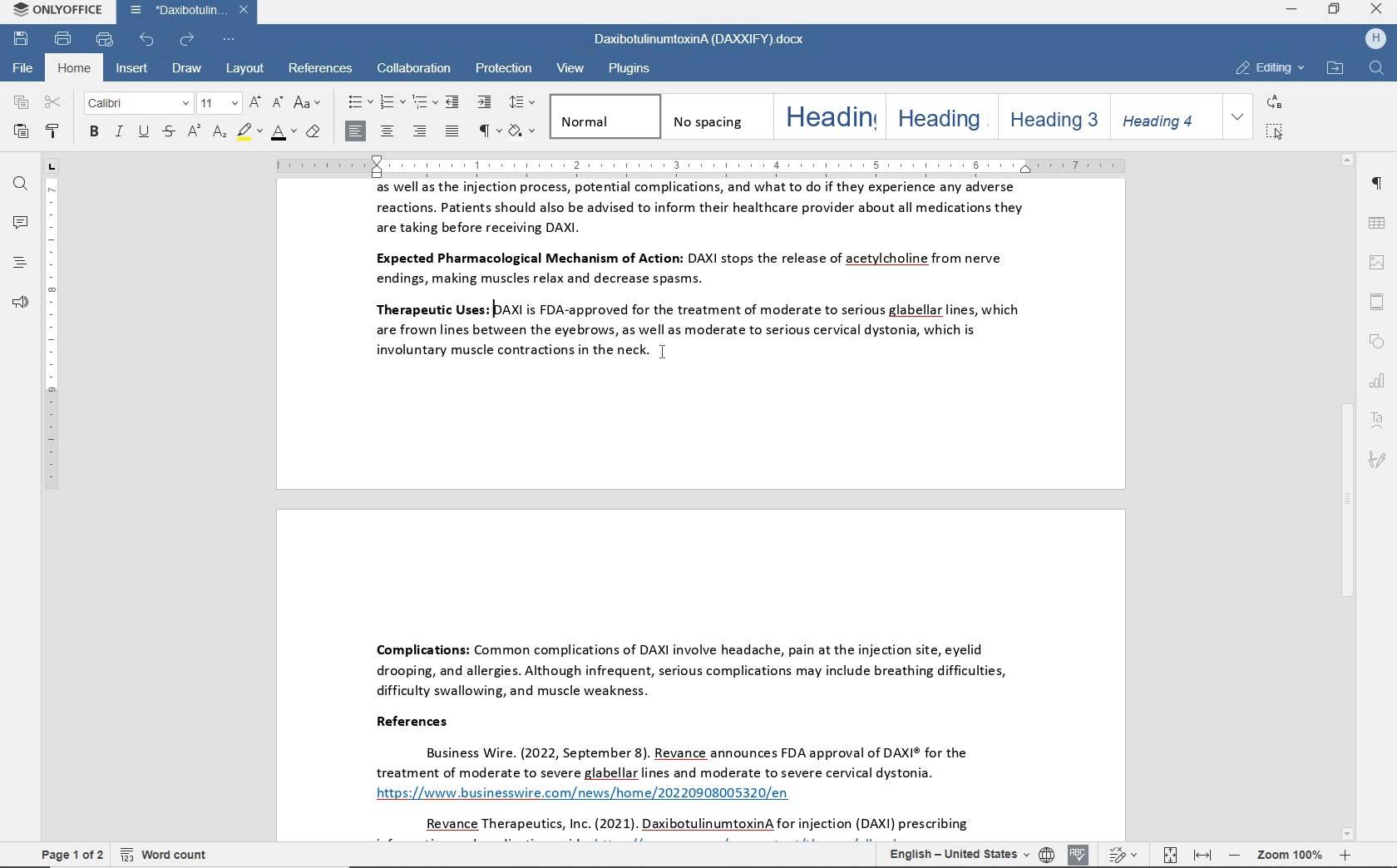 This screenshot has width=1397, height=868. Describe the element at coordinates (523, 102) in the screenshot. I see `paragraph line spacing` at that location.